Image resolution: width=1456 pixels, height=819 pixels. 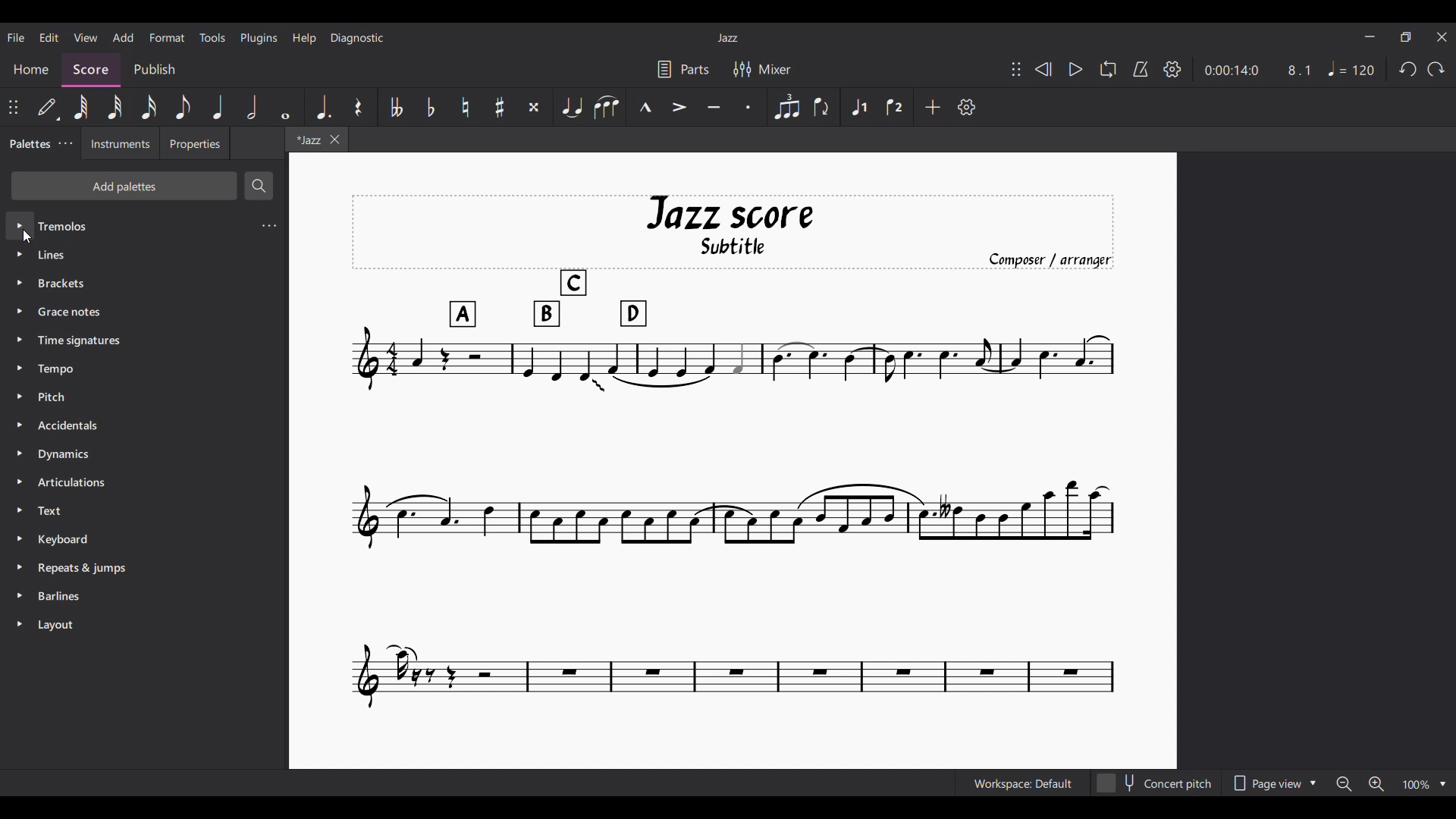 What do you see at coordinates (748, 107) in the screenshot?
I see `Staccato` at bounding box center [748, 107].